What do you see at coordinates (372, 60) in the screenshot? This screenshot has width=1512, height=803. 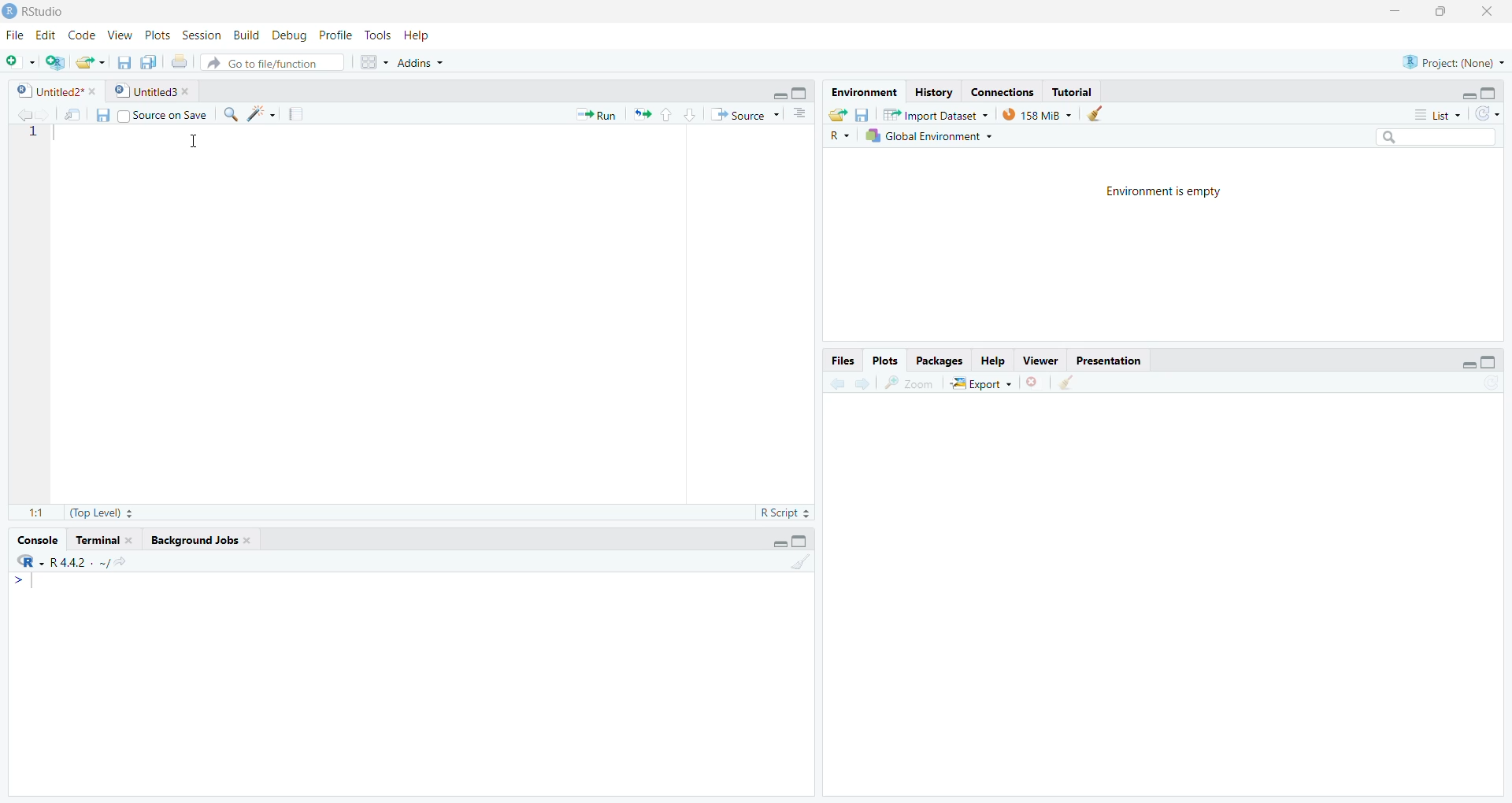 I see `` at bounding box center [372, 60].